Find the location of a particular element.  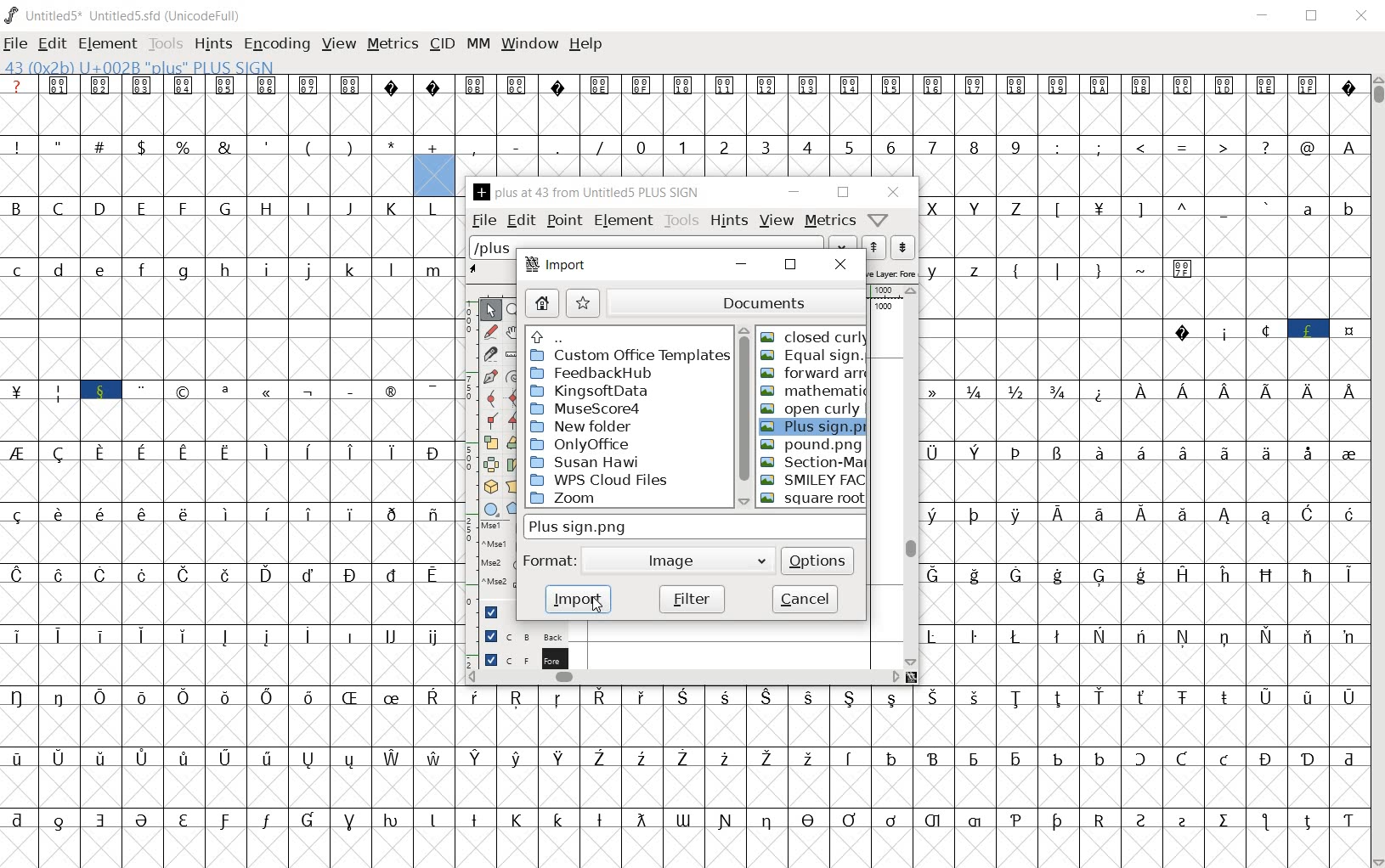

scrollbar is located at coordinates (1377, 470).